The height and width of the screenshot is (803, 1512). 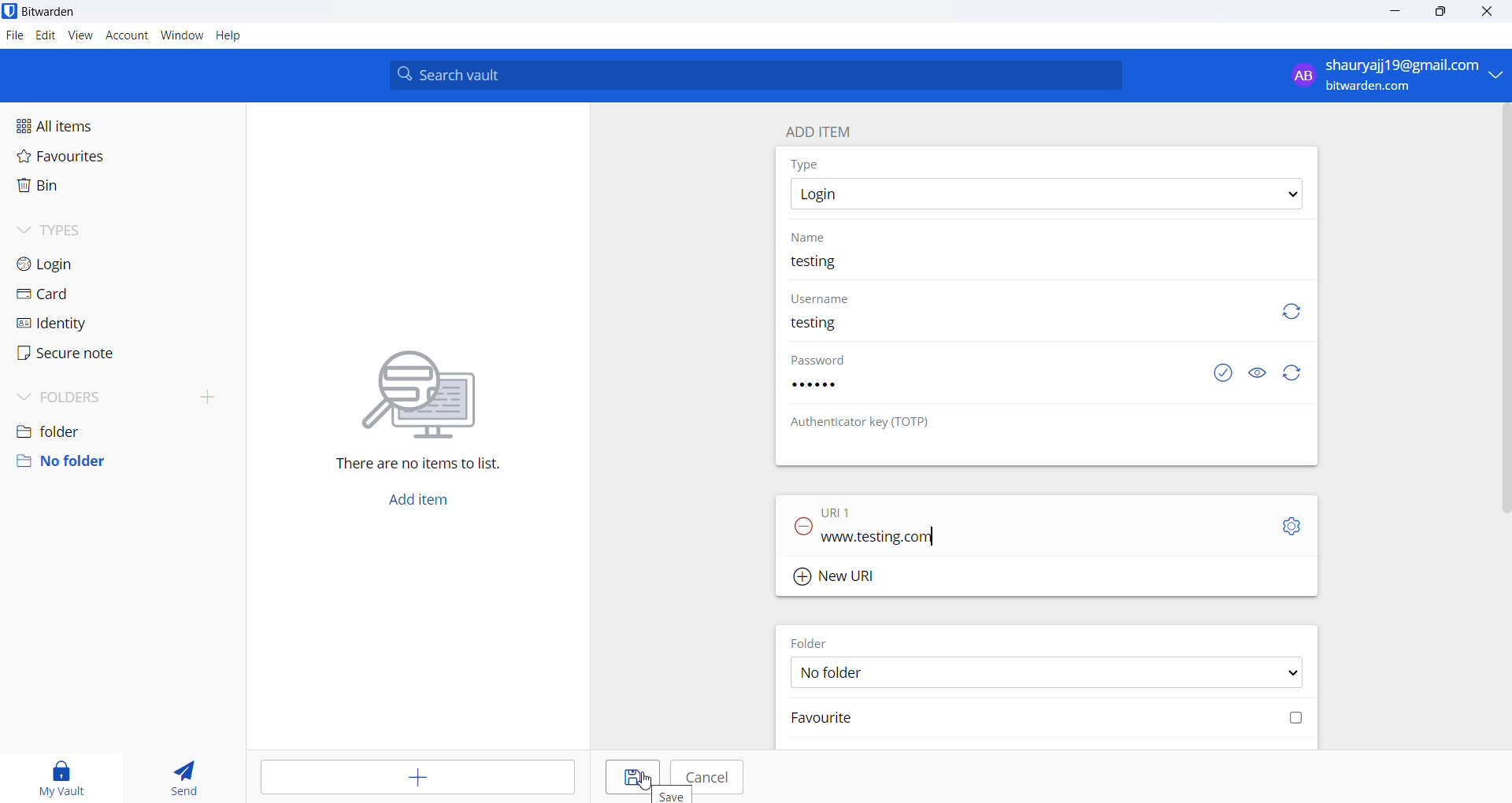 What do you see at coordinates (648, 783) in the screenshot?
I see `cursor` at bounding box center [648, 783].